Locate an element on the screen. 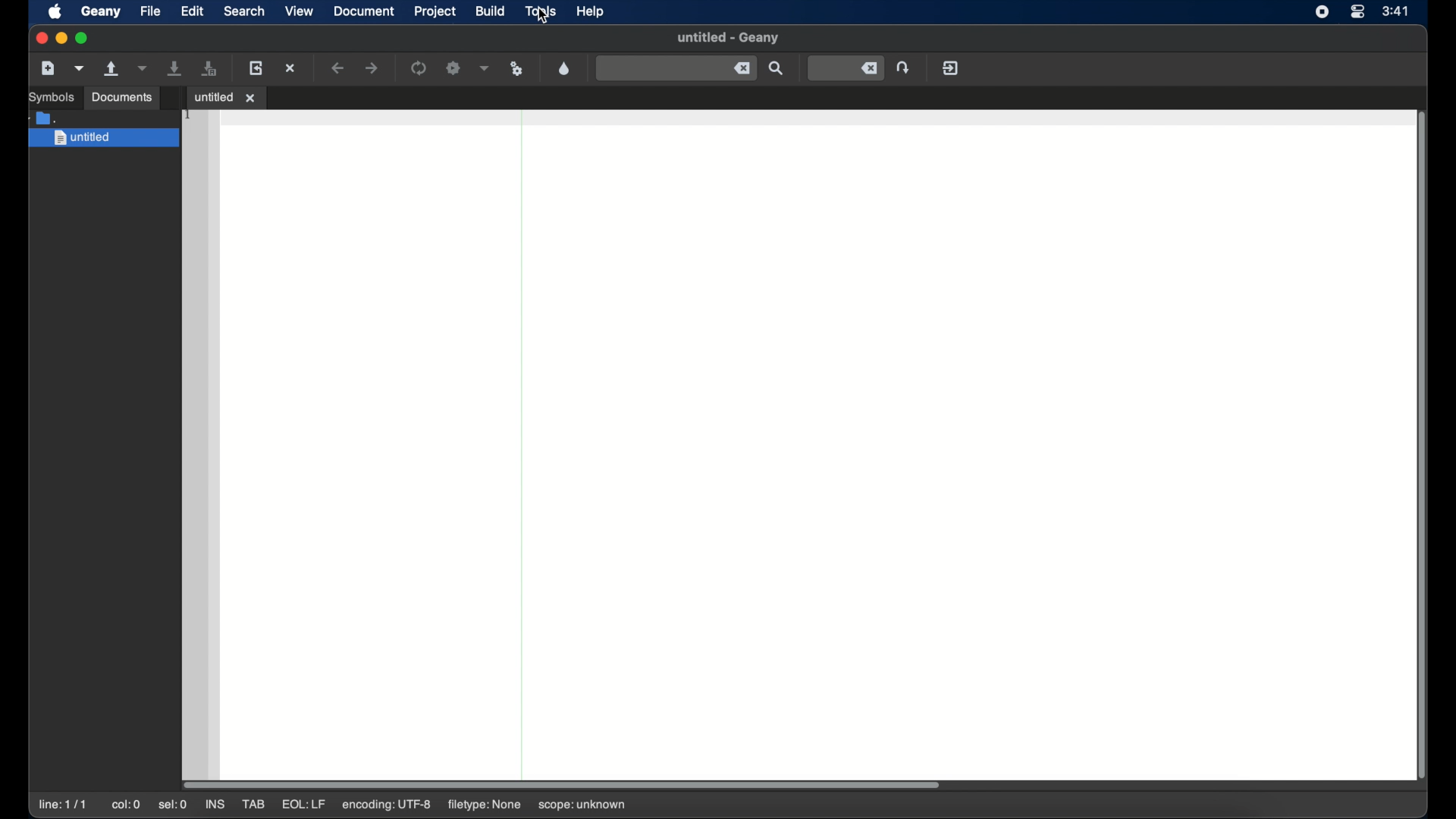 Image resolution: width=1456 pixels, height=819 pixels. edit is located at coordinates (193, 12).